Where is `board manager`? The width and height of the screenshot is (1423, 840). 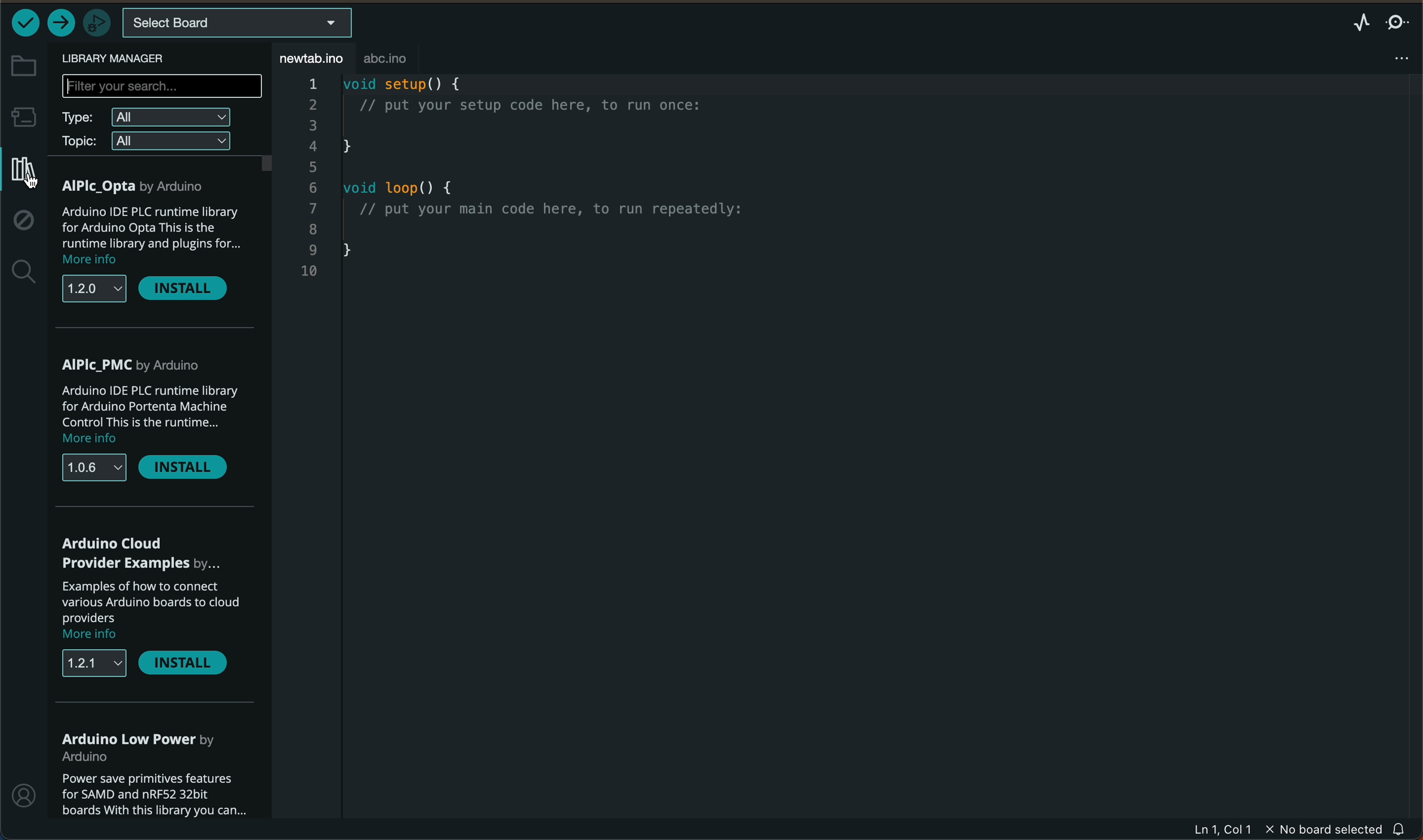 board manager is located at coordinates (23, 116).